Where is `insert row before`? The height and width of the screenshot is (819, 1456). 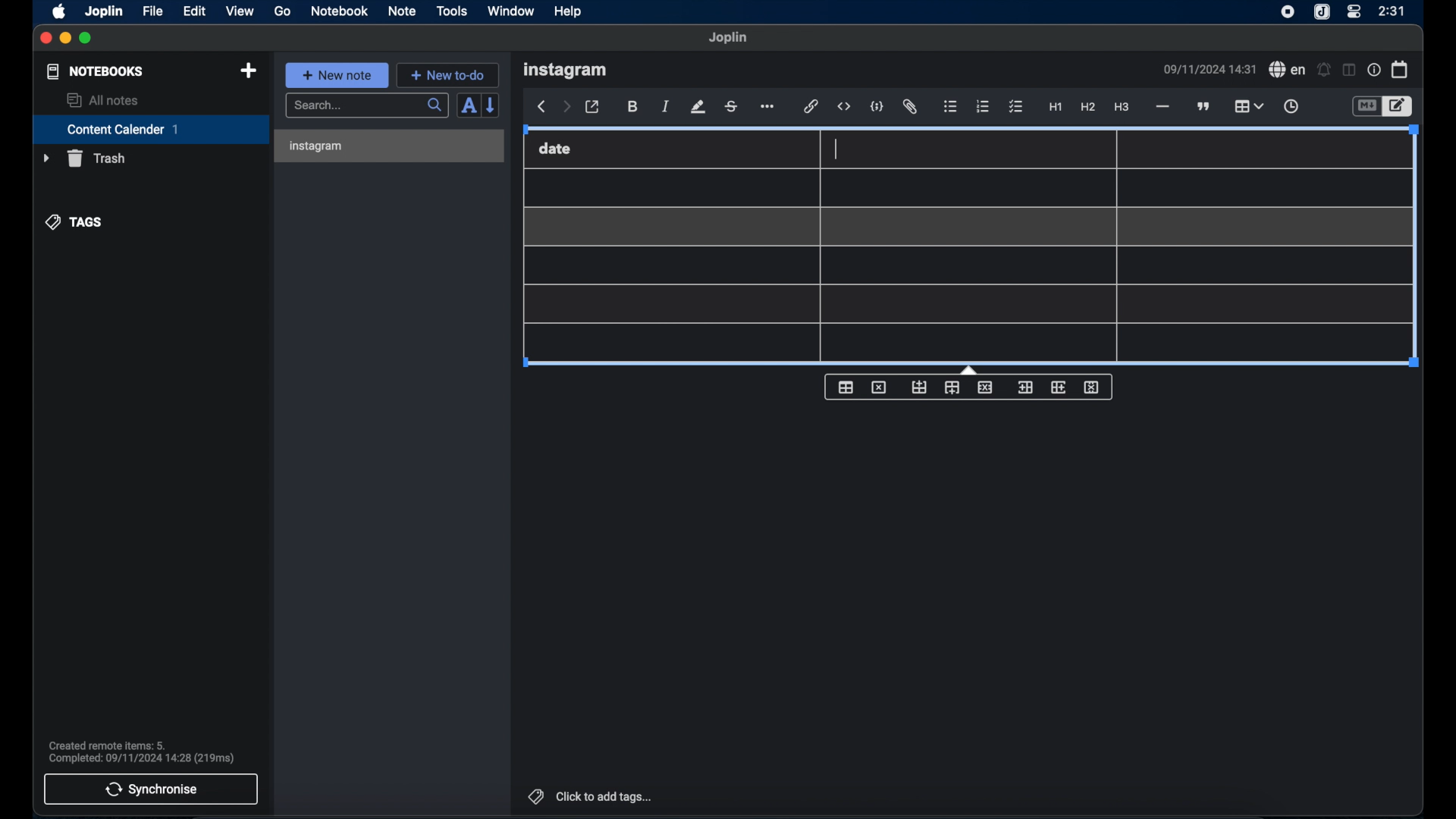
insert row before is located at coordinates (919, 386).